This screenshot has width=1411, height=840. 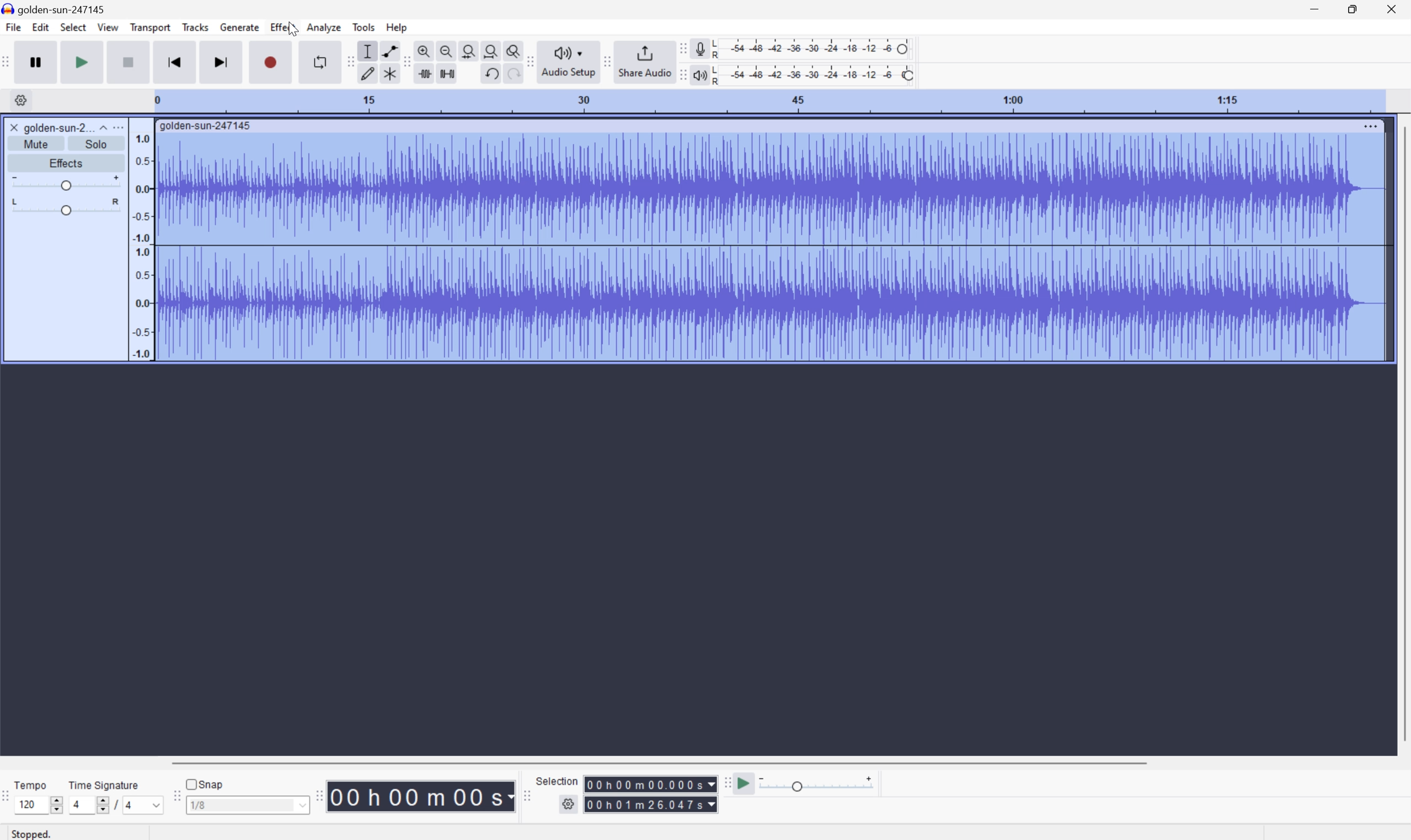 I want to click on Tempo, so click(x=33, y=783).